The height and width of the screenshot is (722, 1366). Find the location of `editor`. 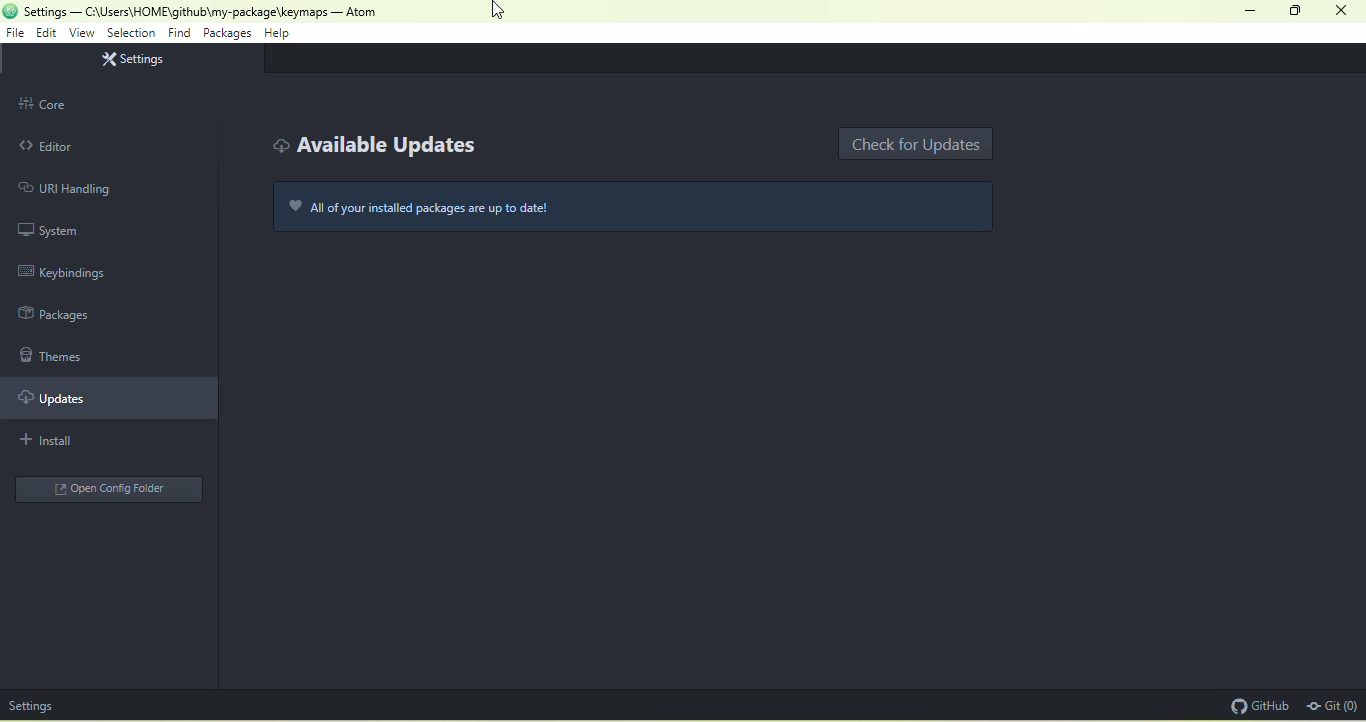

editor is located at coordinates (96, 145).